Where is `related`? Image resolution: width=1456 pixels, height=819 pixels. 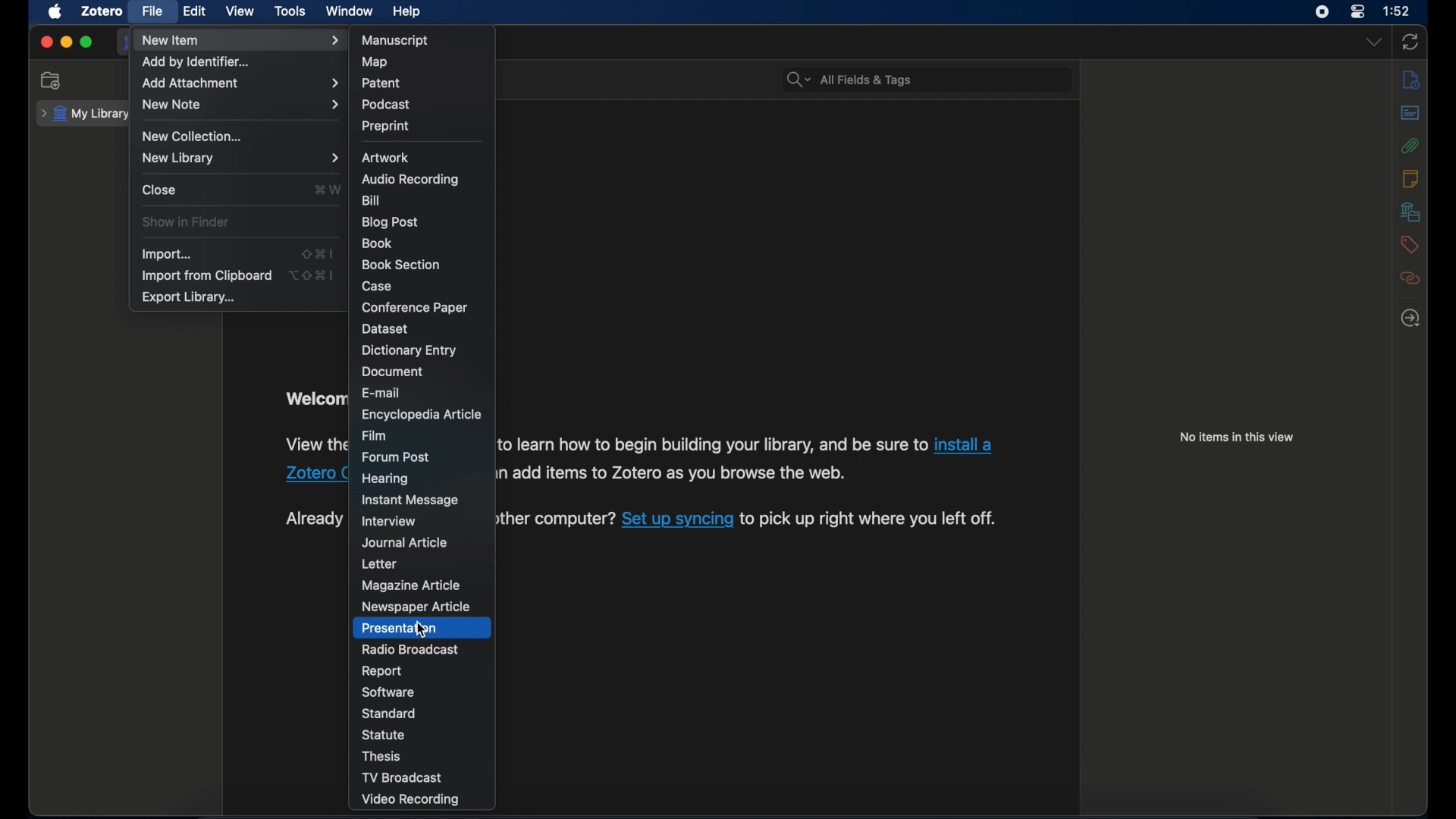
related is located at coordinates (1410, 278).